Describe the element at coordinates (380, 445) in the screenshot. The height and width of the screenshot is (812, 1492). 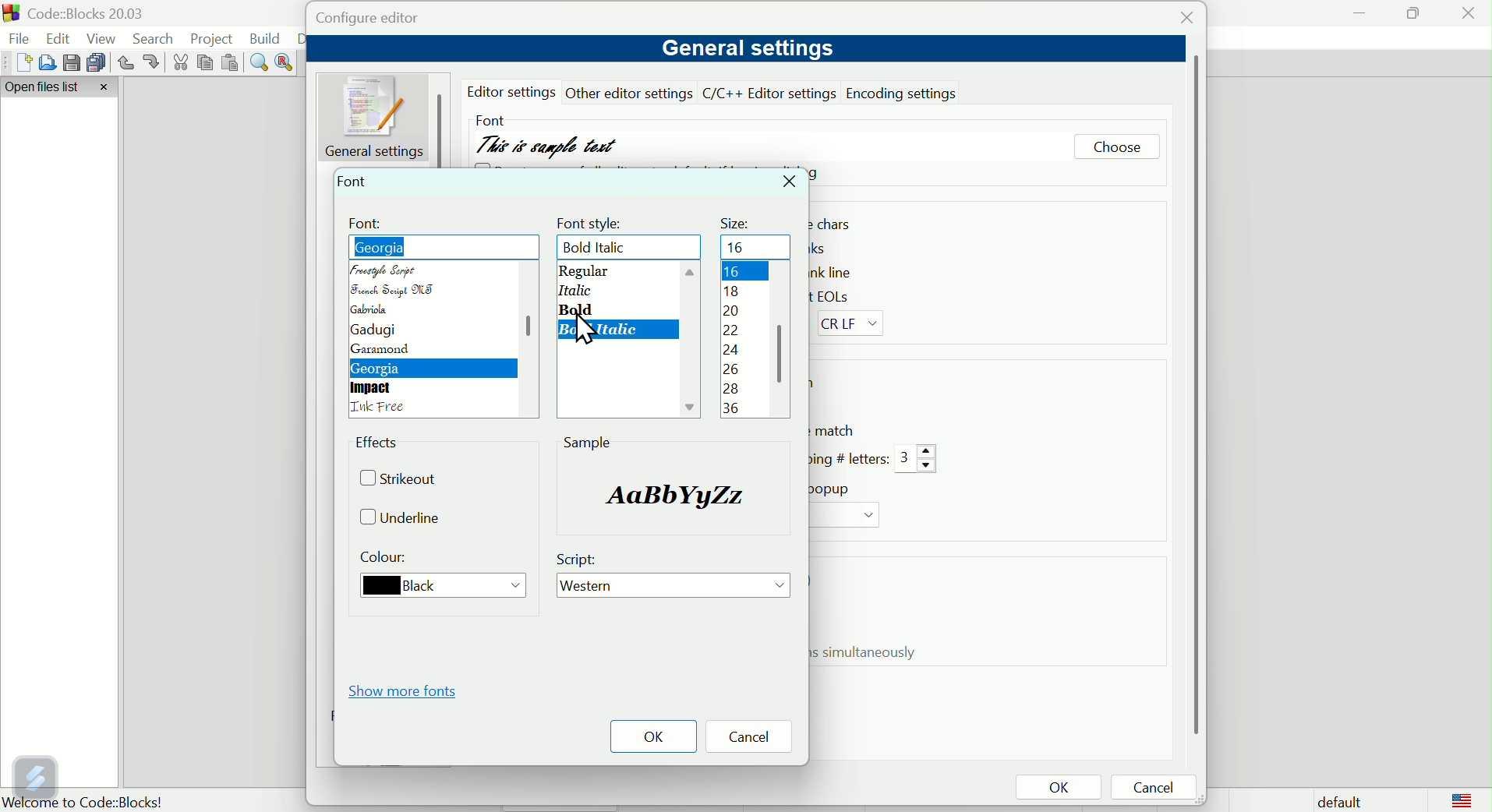
I see `Effects` at that location.